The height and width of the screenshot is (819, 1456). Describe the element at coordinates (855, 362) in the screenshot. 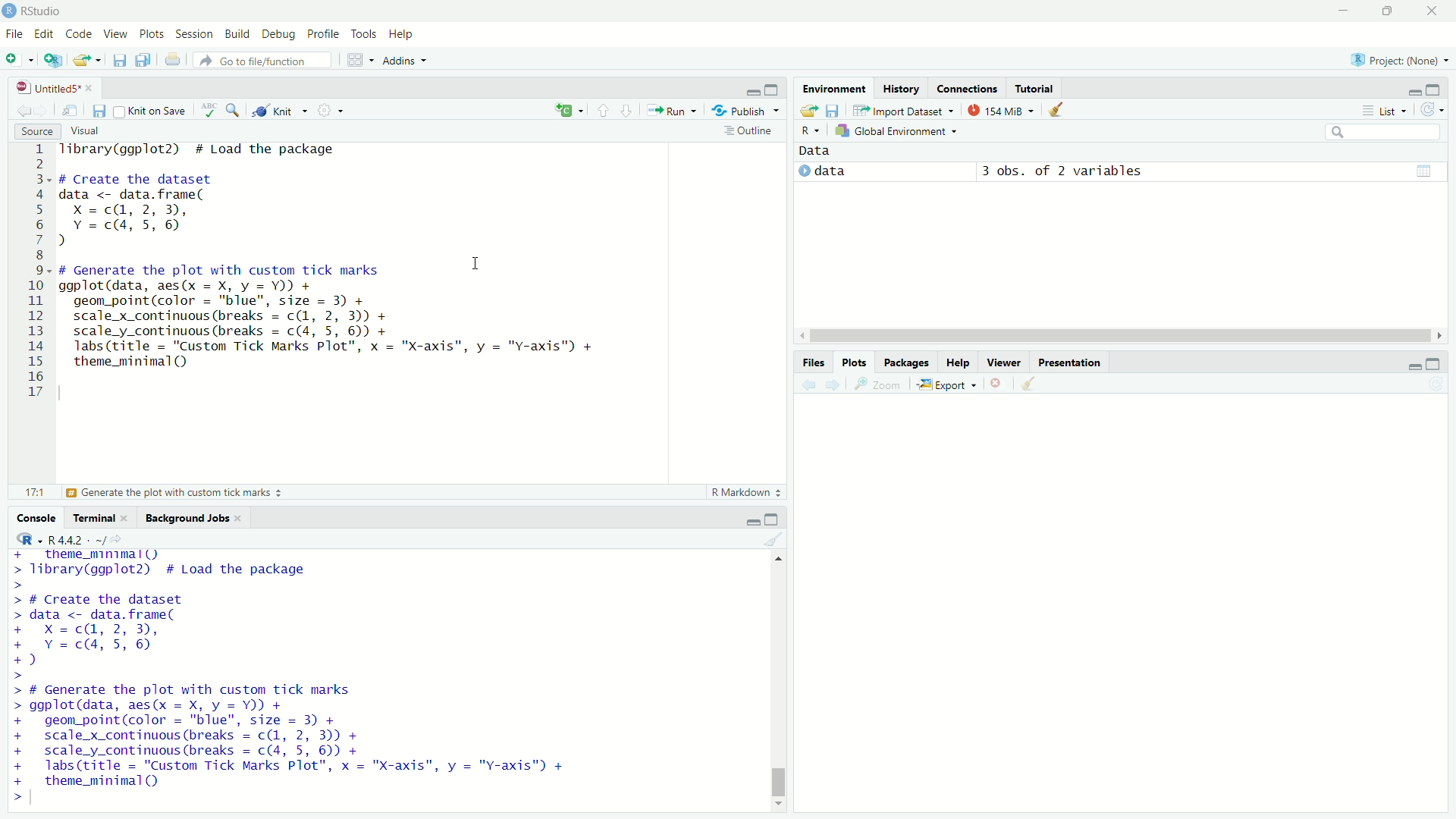

I see `plots` at that location.